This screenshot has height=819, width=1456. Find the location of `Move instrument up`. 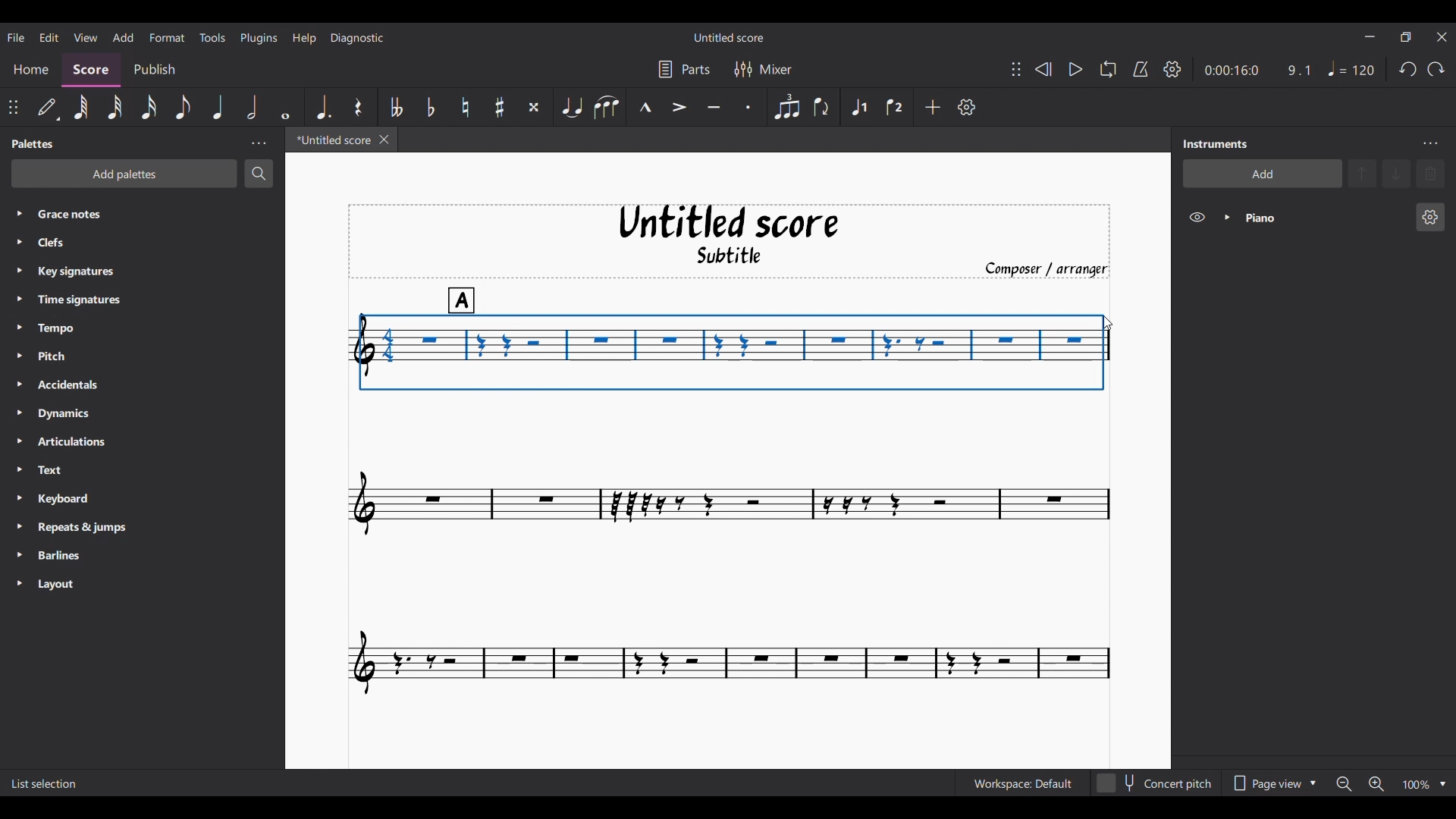

Move instrument up is located at coordinates (1363, 173).